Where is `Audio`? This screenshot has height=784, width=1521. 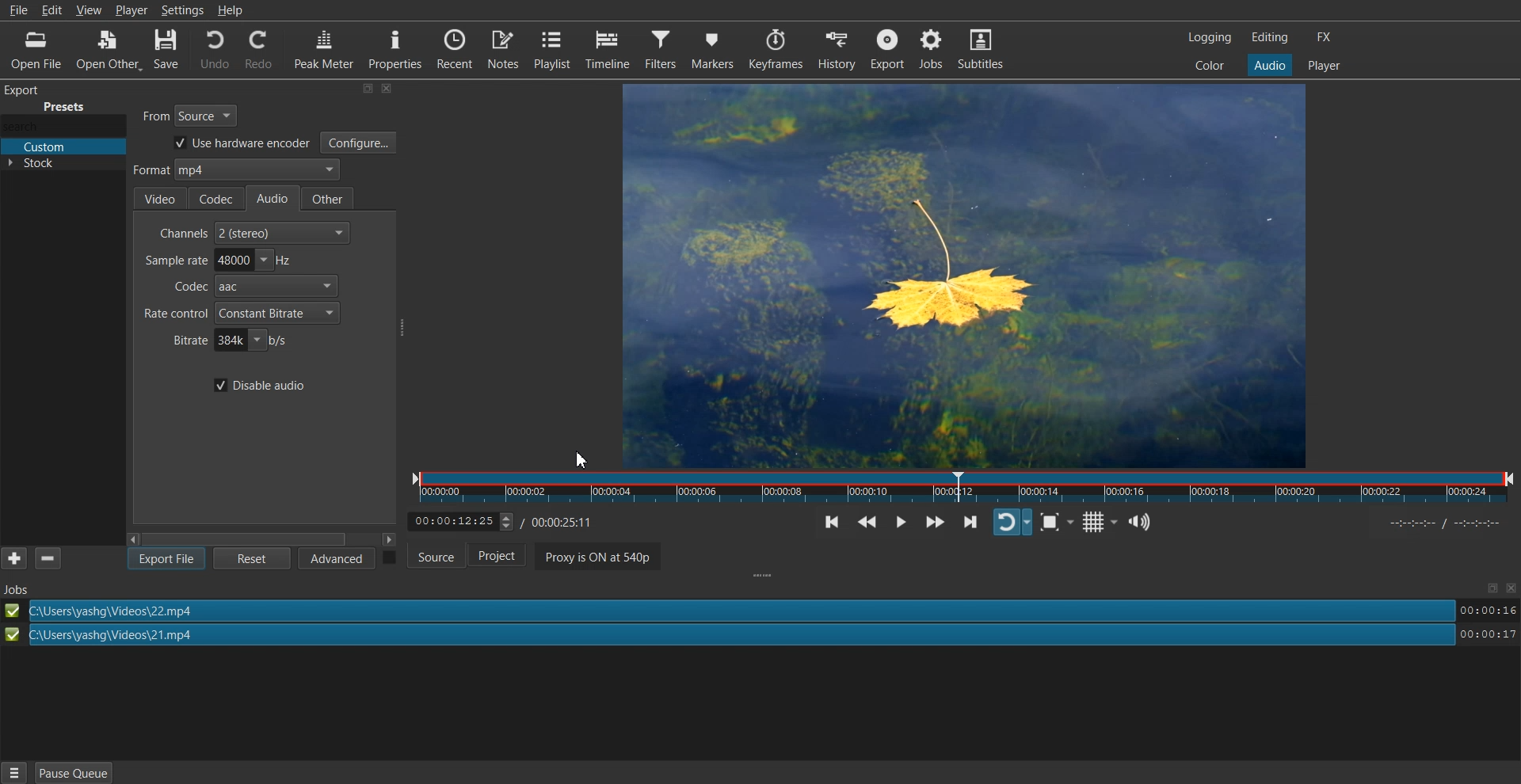 Audio is located at coordinates (1269, 64).